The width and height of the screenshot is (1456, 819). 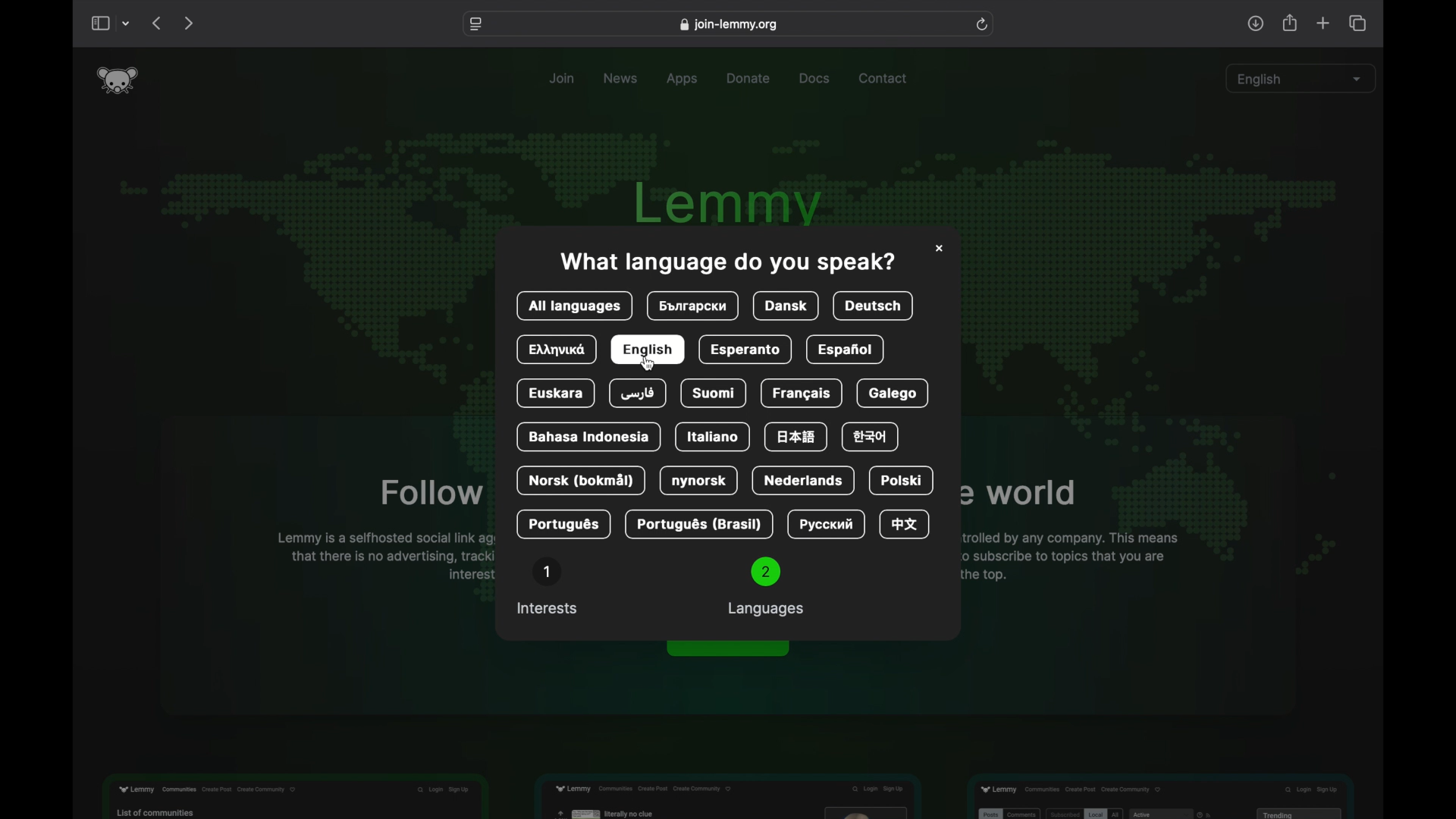 I want to click on galego, so click(x=893, y=394).